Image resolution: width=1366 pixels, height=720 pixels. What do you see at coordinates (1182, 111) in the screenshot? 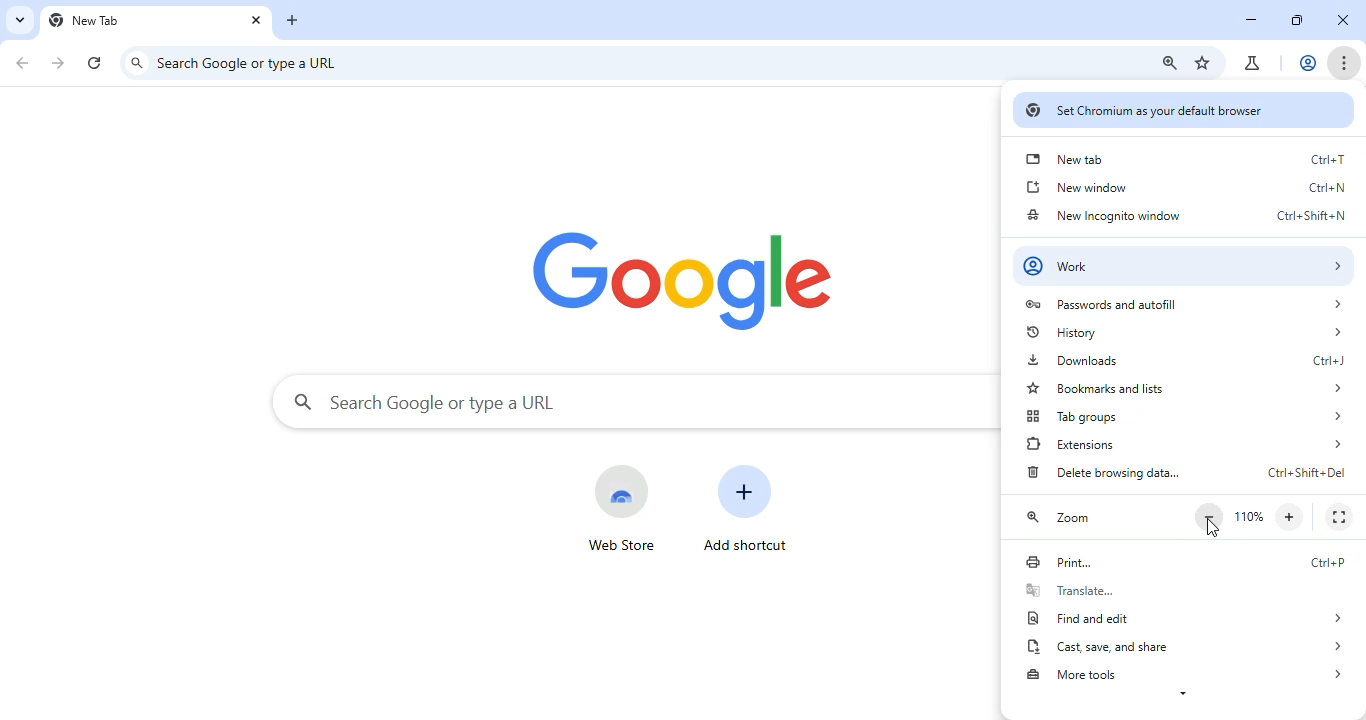
I see `set chromium as your default browser` at bounding box center [1182, 111].